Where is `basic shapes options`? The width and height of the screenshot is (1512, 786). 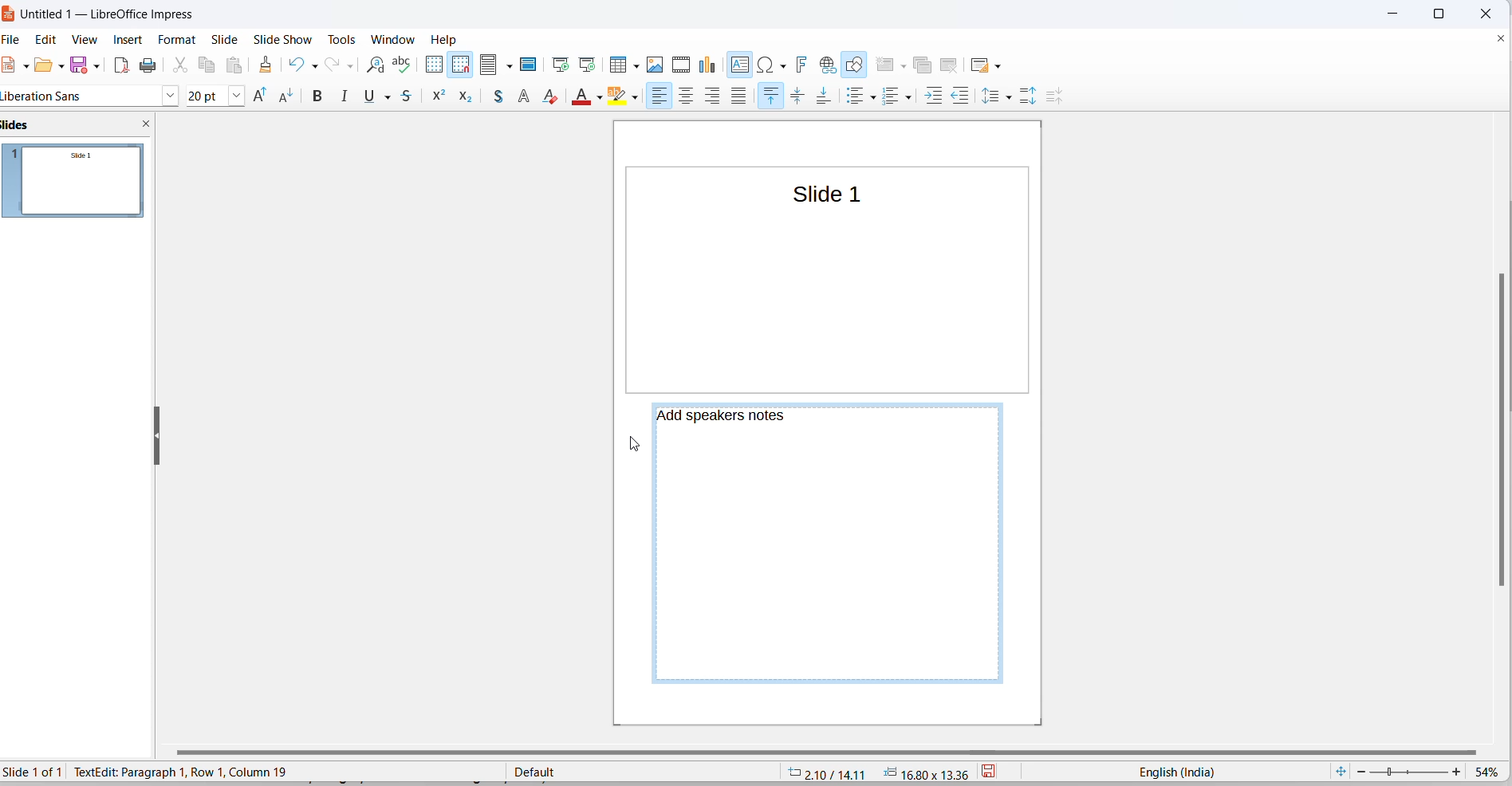
basic shapes options is located at coordinates (359, 97).